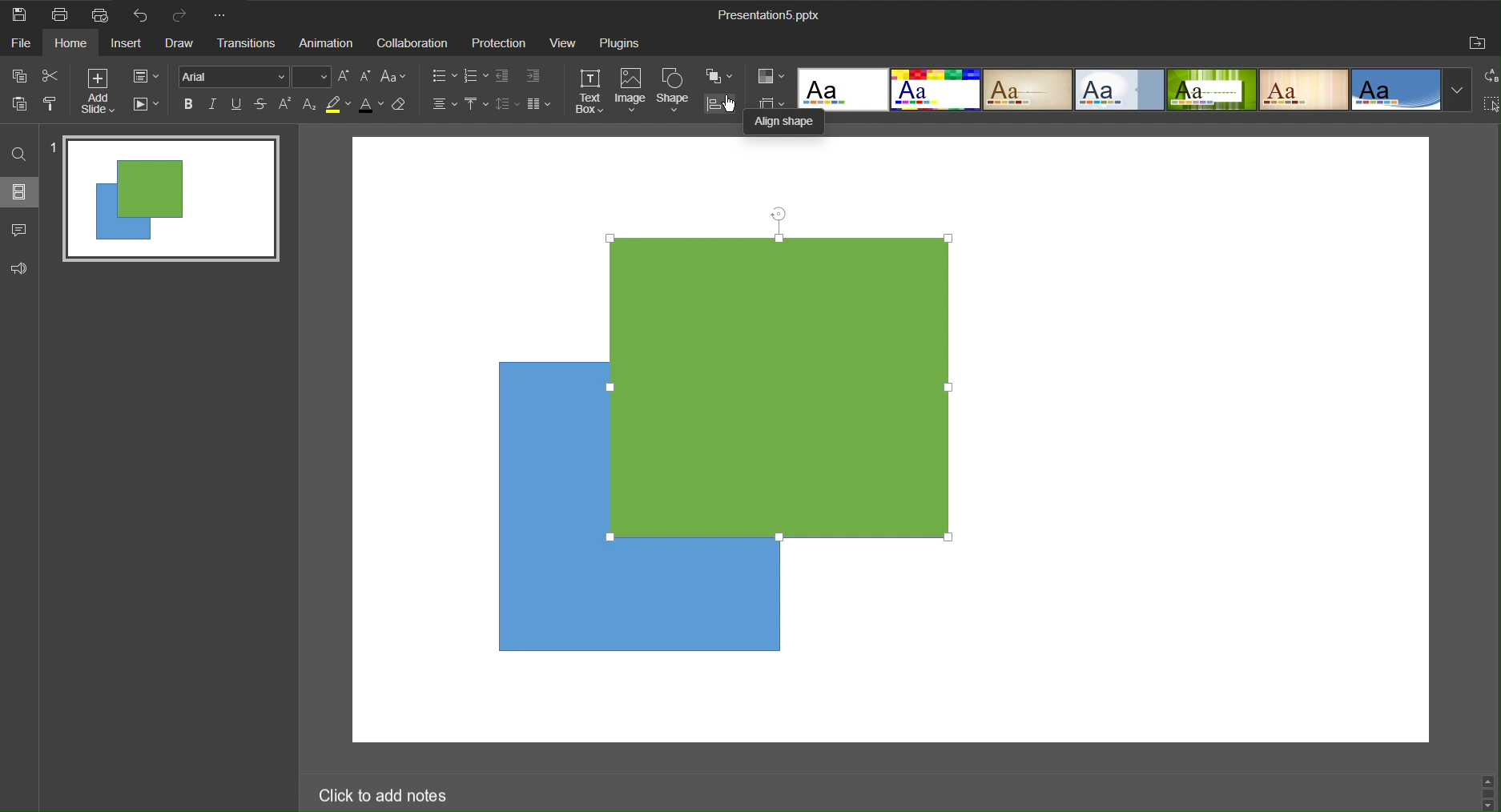 The width and height of the screenshot is (1501, 812). I want to click on Vertical Align, so click(476, 106).